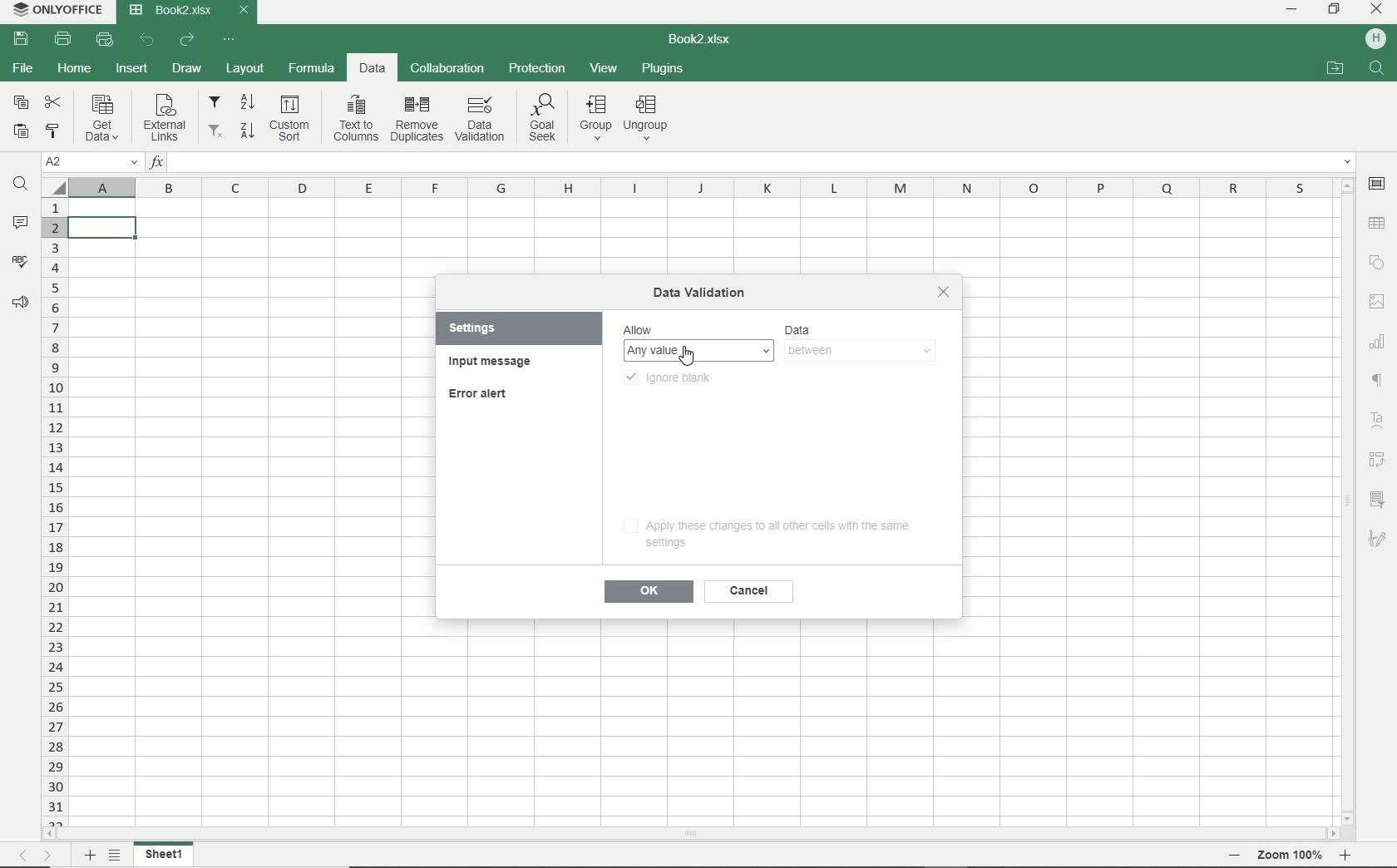 This screenshot has width=1397, height=868. Describe the element at coordinates (699, 350) in the screenshot. I see `ANY VALUE` at that location.